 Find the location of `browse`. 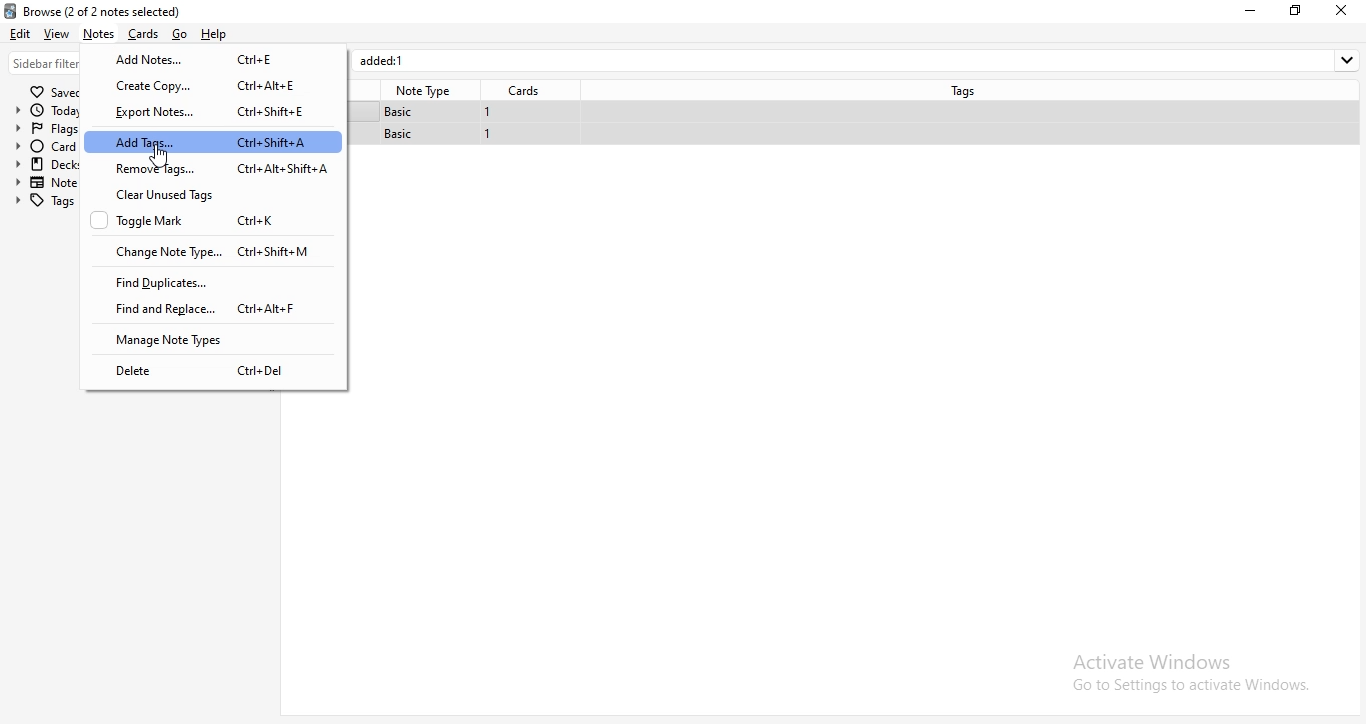

browse is located at coordinates (131, 9).